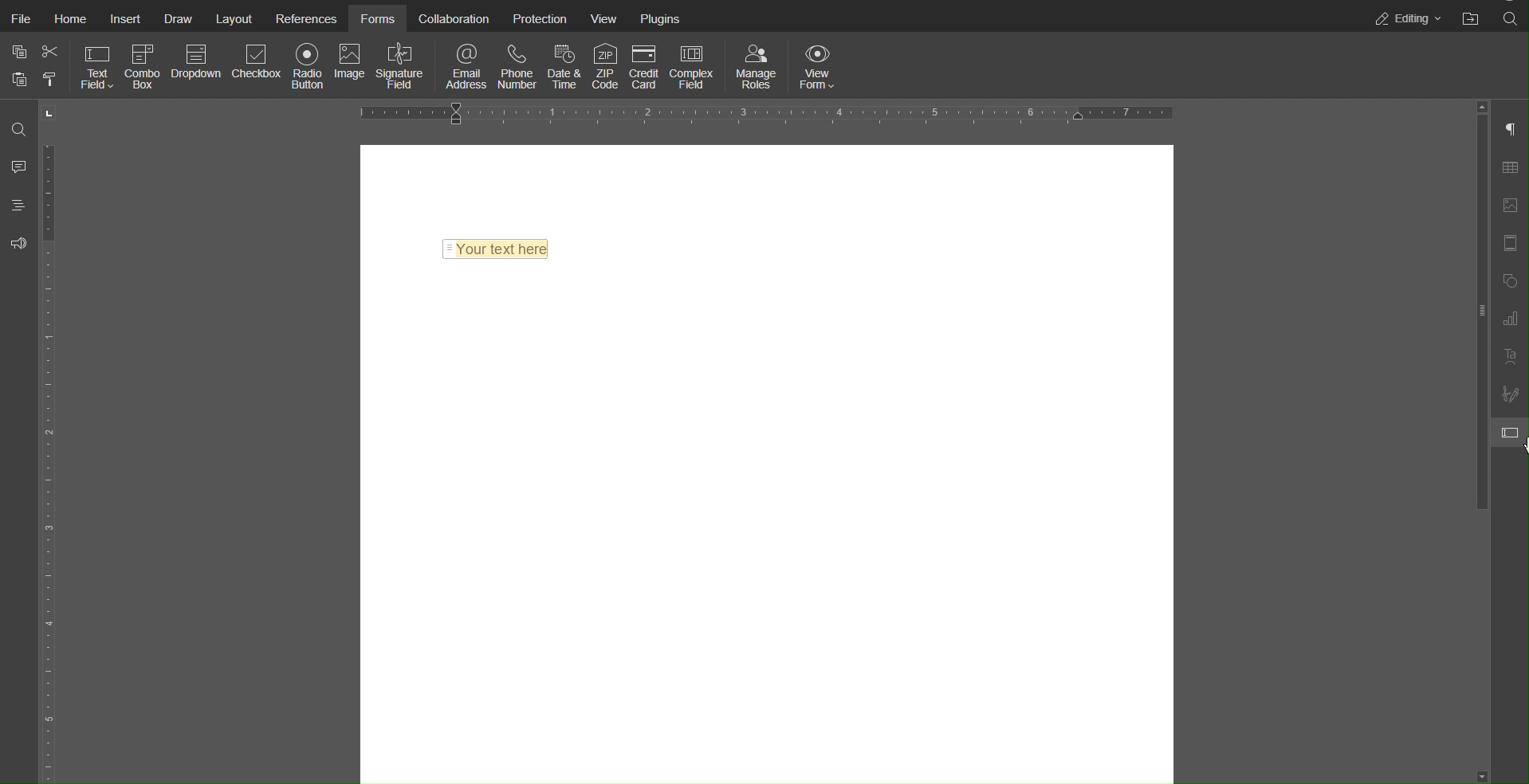 The width and height of the screenshot is (1529, 784). Describe the element at coordinates (257, 68) in the screenshot. I see `Checkbox` at that location.